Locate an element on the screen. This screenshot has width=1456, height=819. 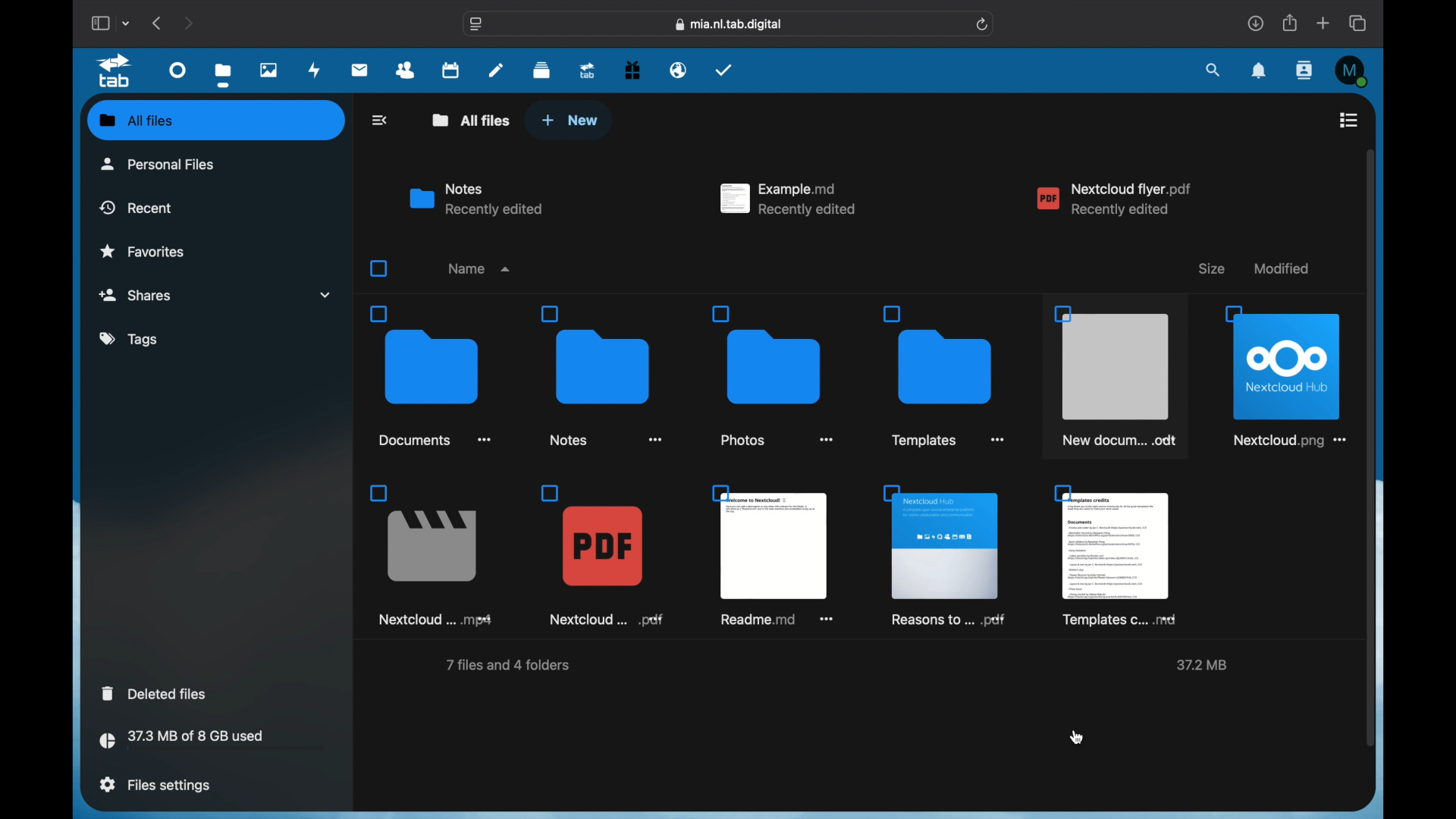
file is located at coordinates (429, 555).